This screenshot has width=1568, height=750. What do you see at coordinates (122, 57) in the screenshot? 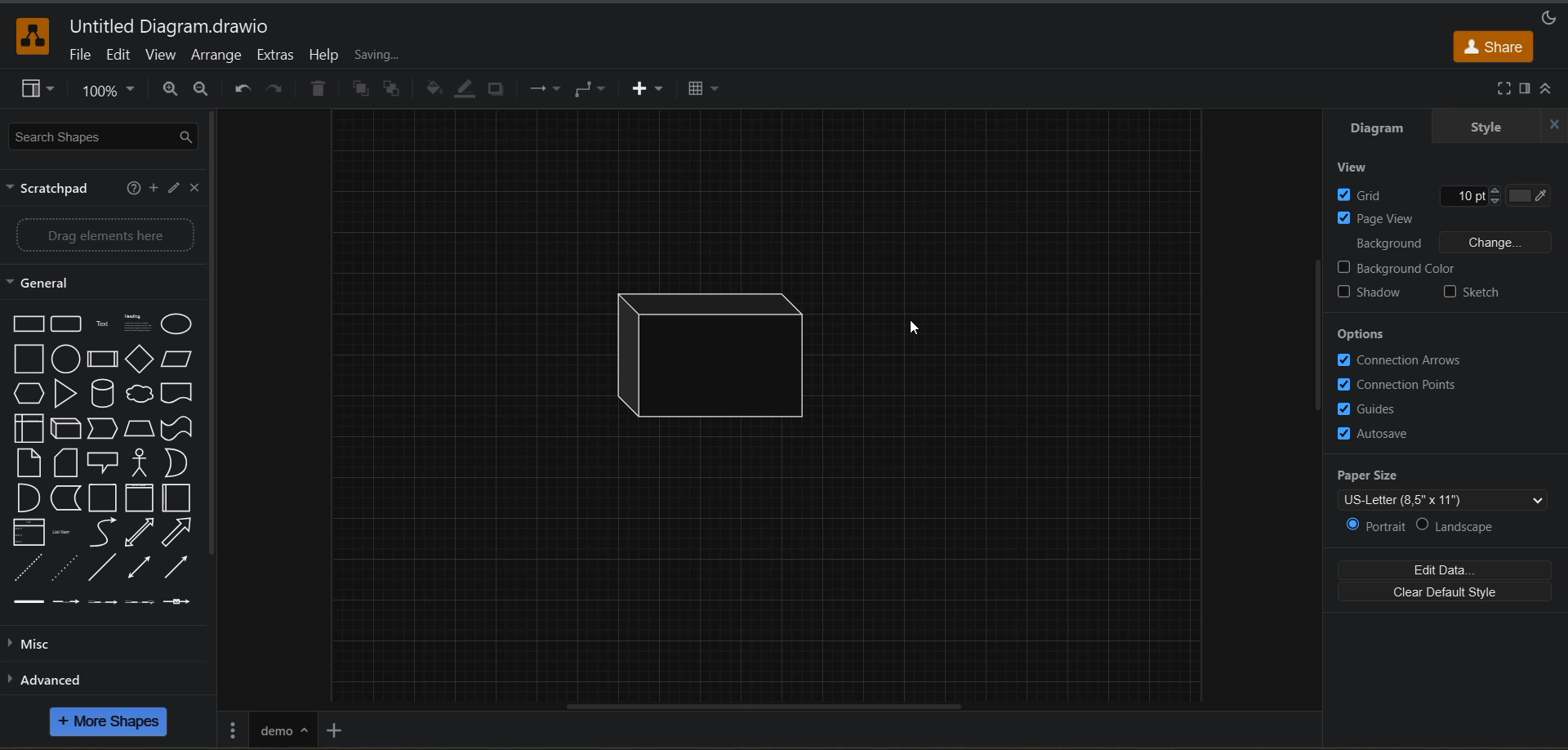
I see `edit` at bounding box center [122, 57].